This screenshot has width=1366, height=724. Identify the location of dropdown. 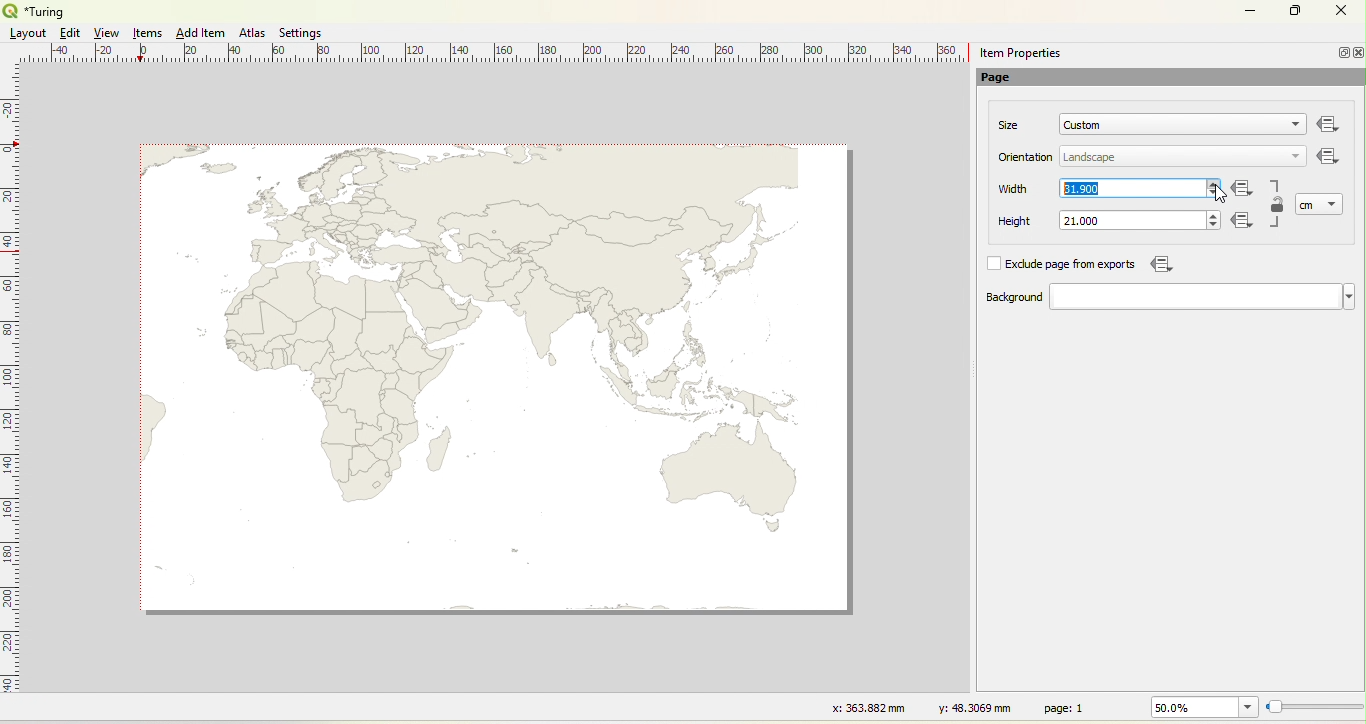
(1334, 203).